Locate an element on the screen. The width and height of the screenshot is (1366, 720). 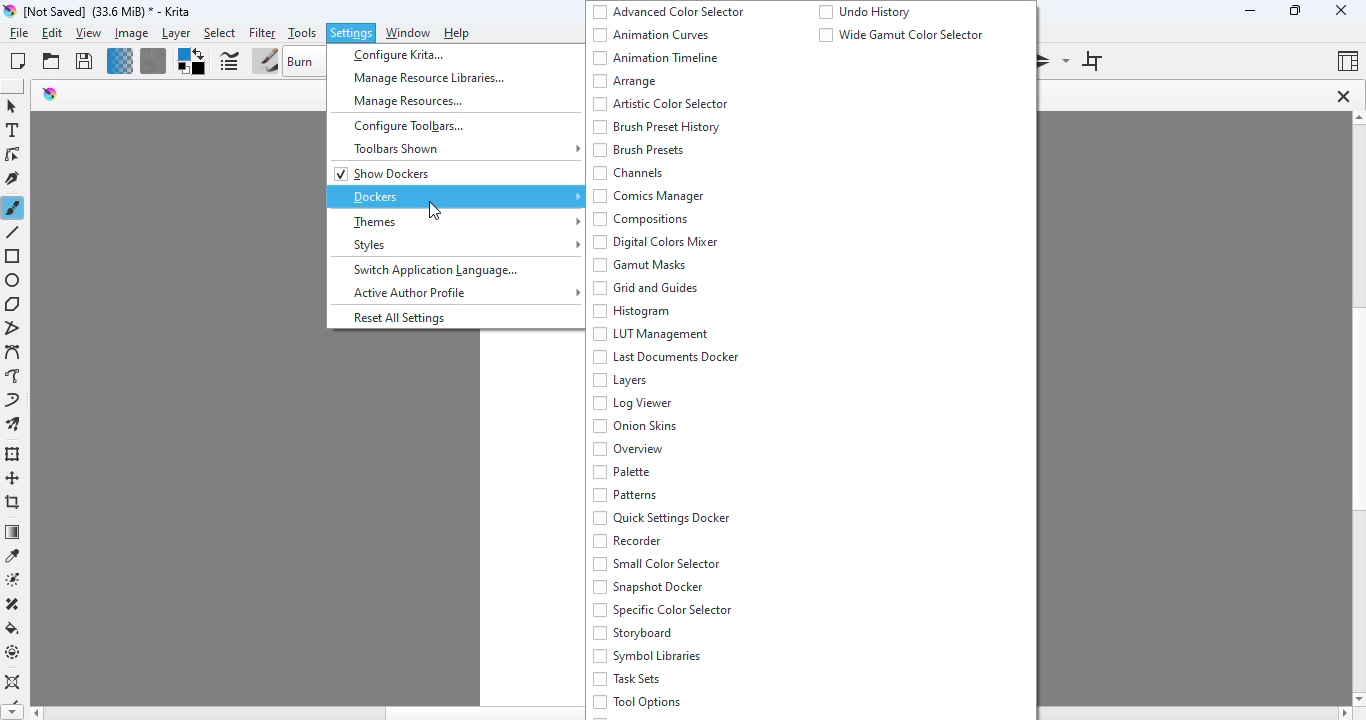
undo history is located at coordinates (865, 11).